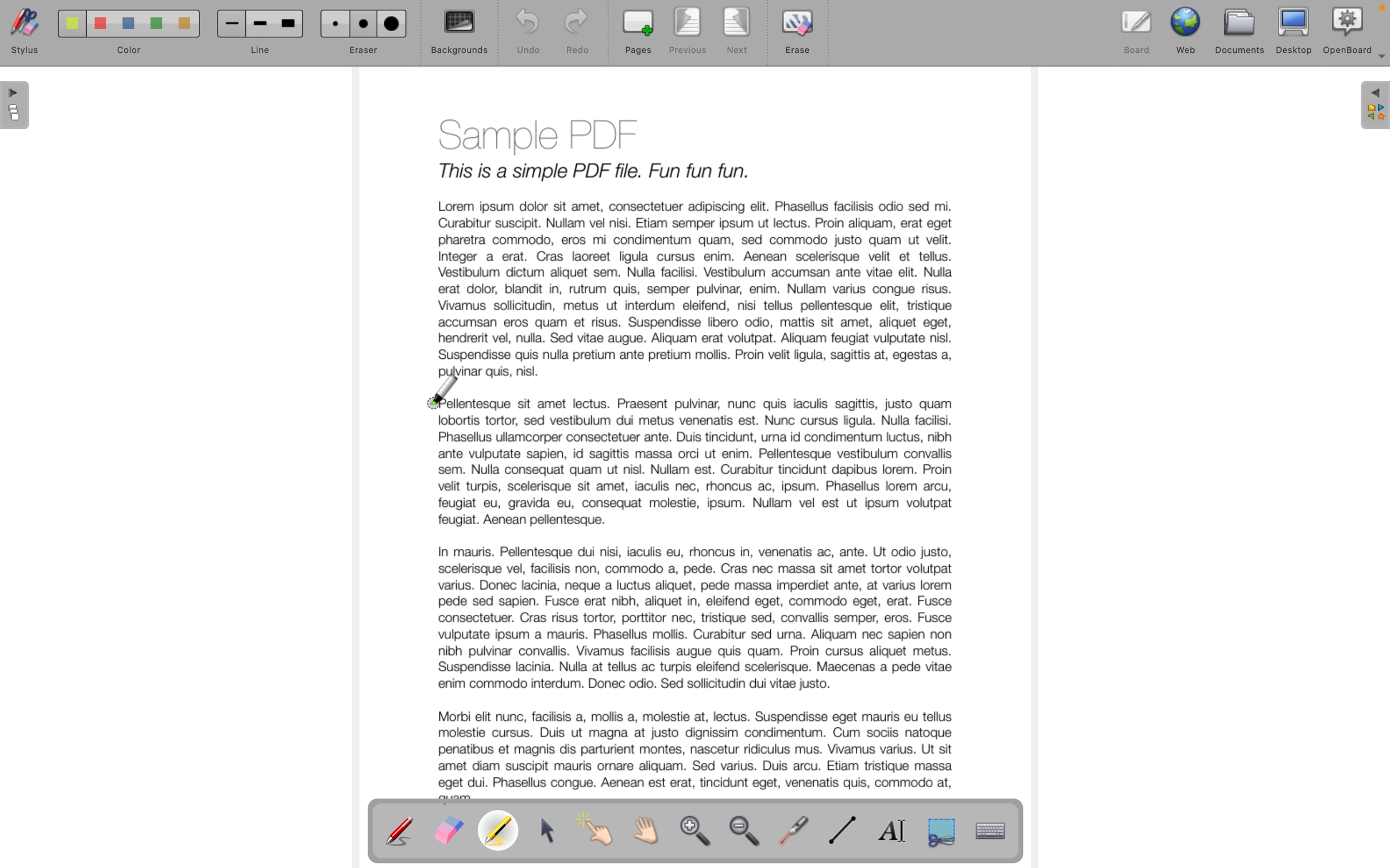 Image resolution: width=1390 pixels, height=868 pixels. Describe the element at coordinates (1373, 106) in the screenshot. I see `sidebar` at that location.